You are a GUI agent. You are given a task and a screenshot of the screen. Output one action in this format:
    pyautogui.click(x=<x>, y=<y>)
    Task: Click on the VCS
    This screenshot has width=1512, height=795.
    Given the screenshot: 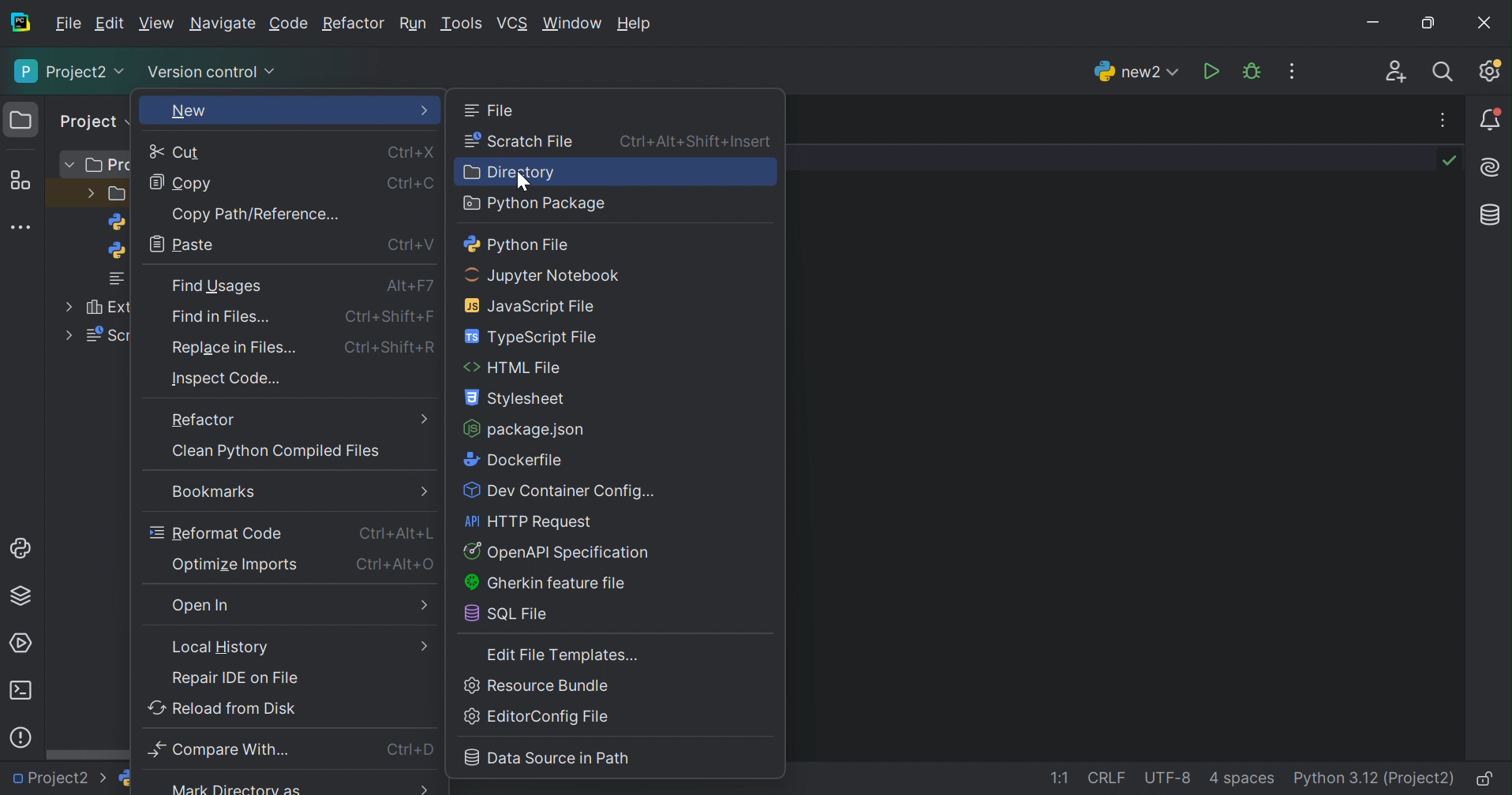 What is the action you would take?
    pyautogui.click(x=515, y=22)
    